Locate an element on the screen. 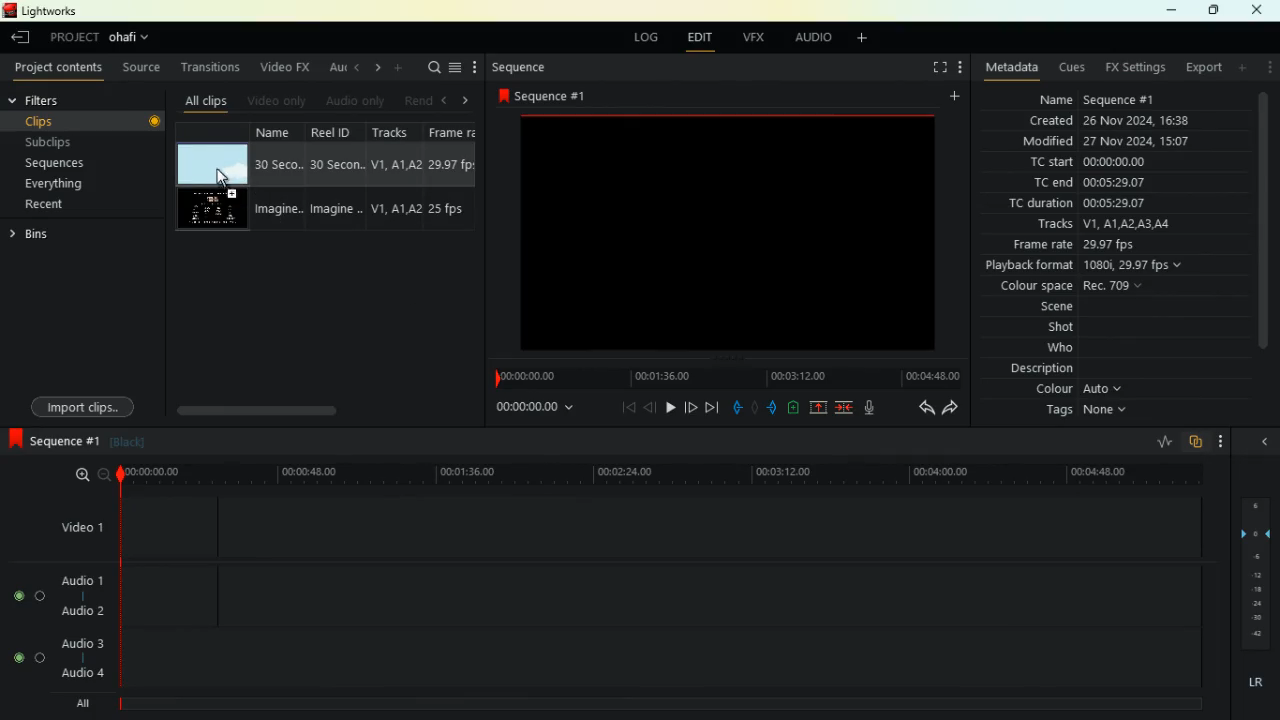  audio 2 is located at coordinates (76, 611).